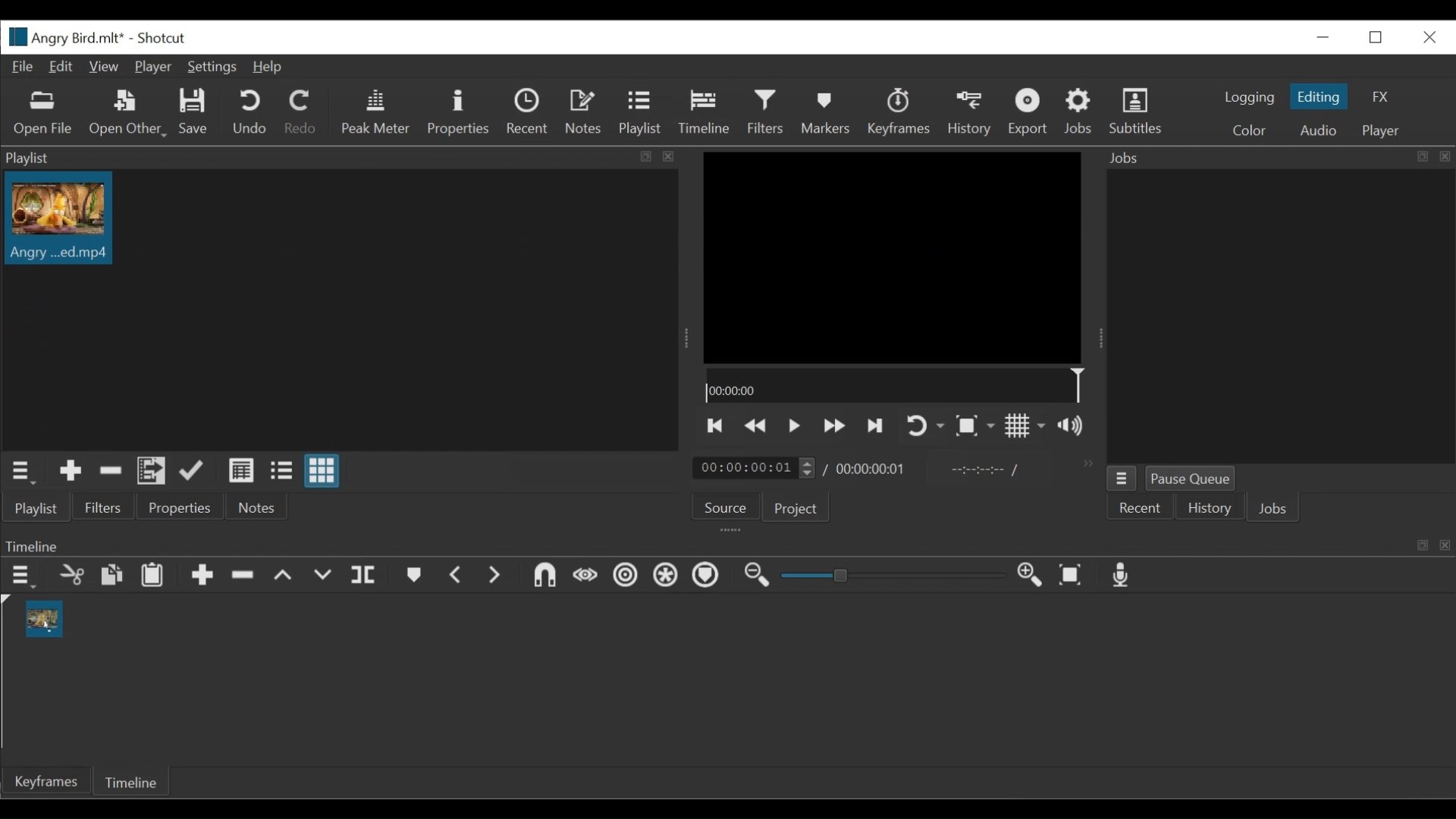 This screenshot has width=1456, height=819. I want to click on Timeline menu, so click(24, 576).